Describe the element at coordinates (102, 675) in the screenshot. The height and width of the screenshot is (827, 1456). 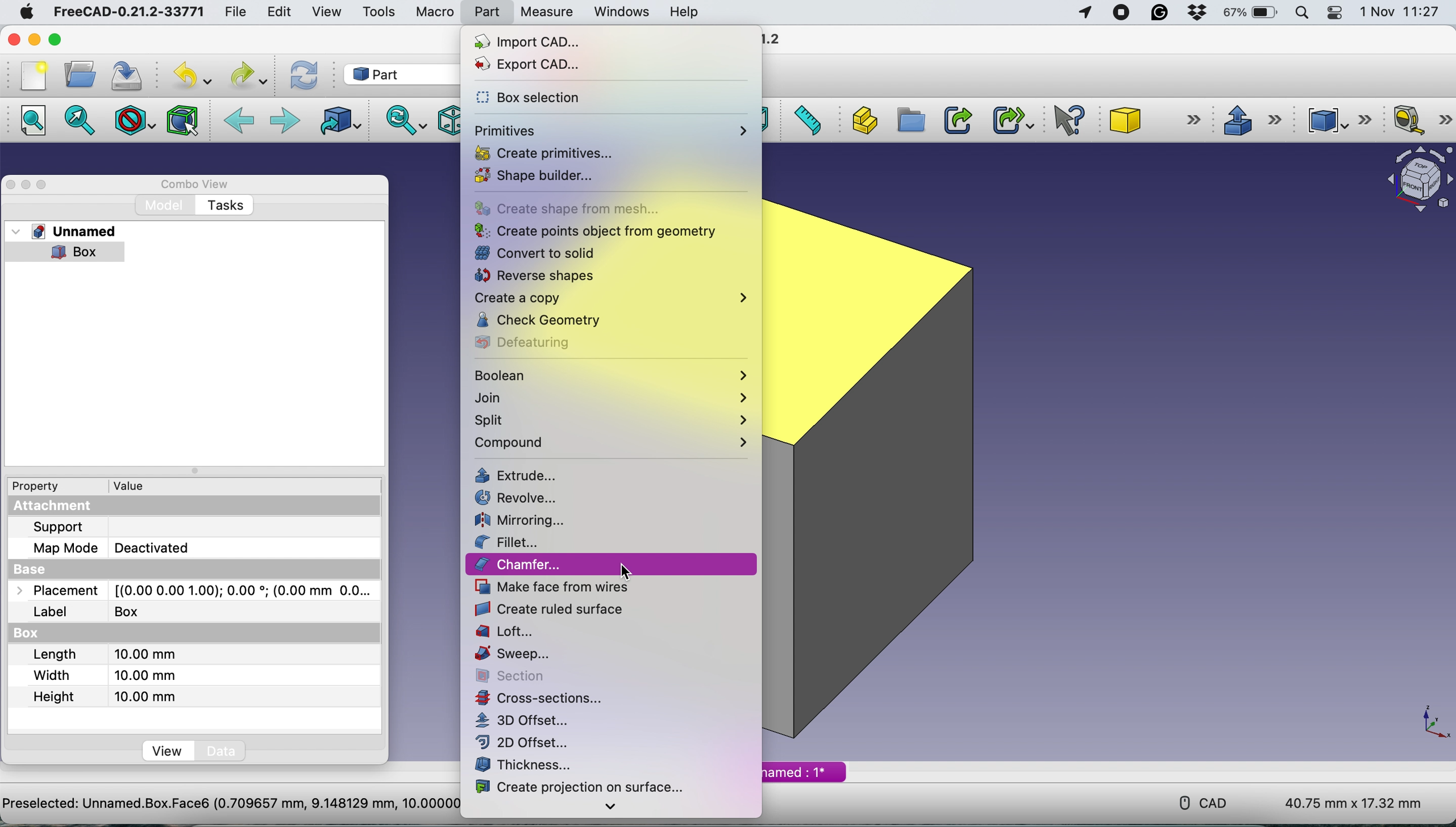
I see `width` at that location.